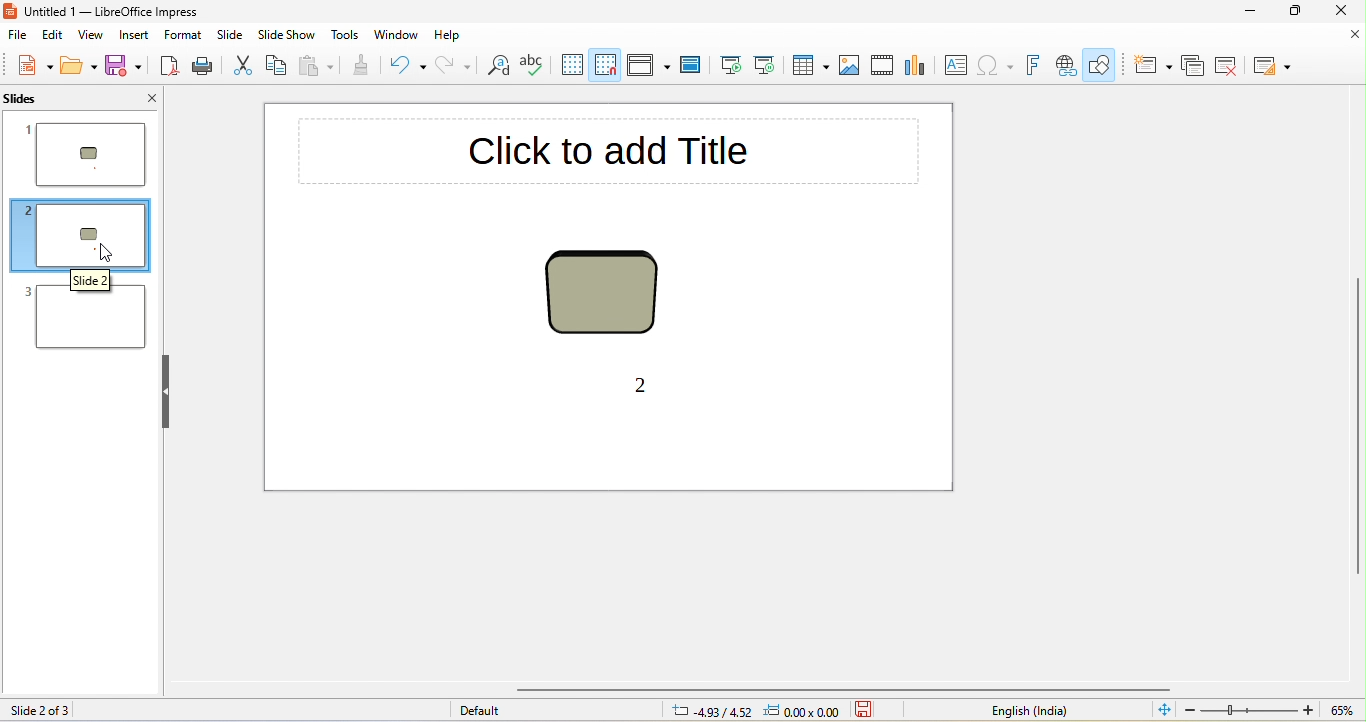 The height and width of the screenshot is (722, 1366). I want to click on minimize, so click(1242, 10).